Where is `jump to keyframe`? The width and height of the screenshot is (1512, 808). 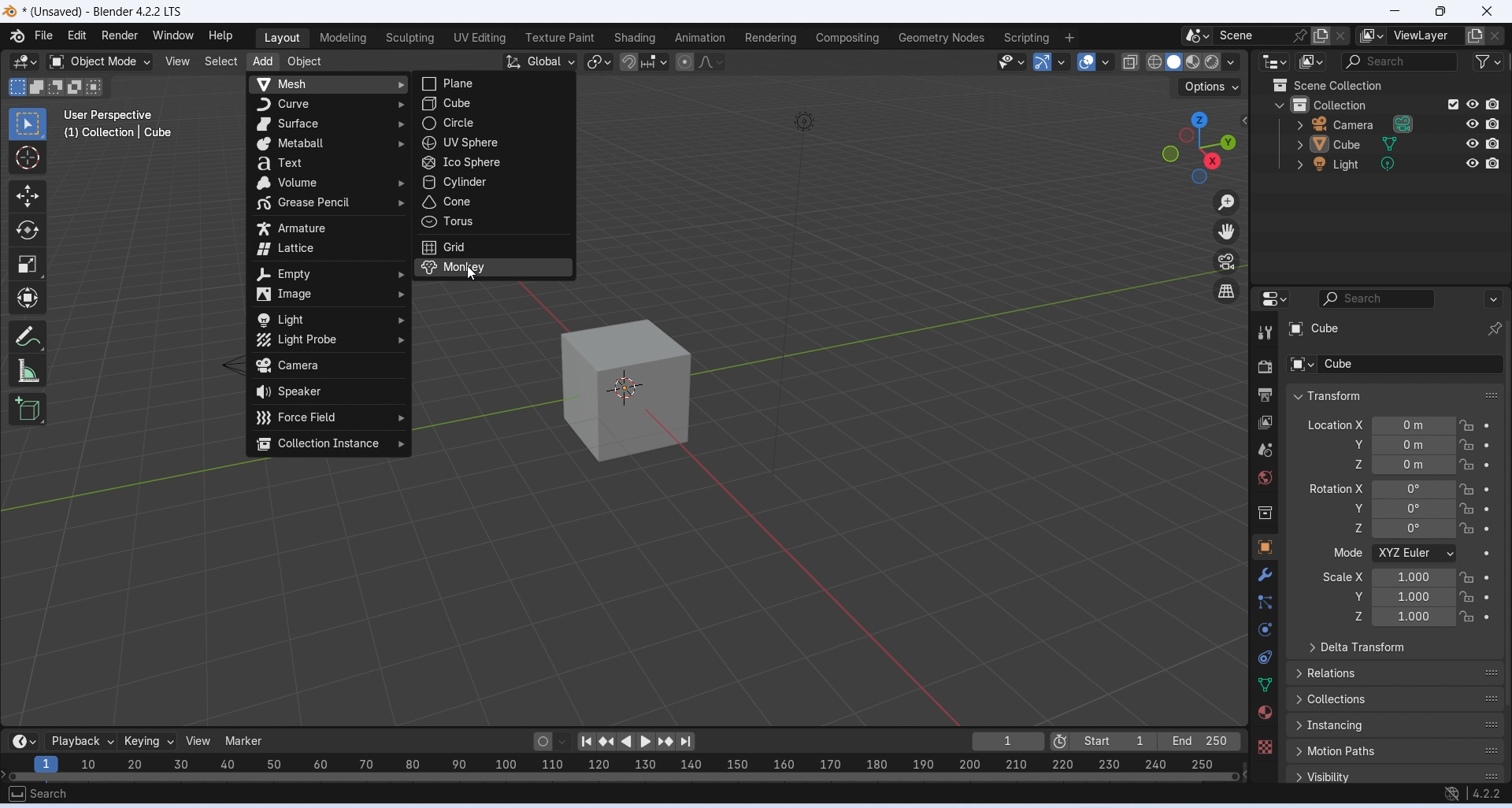 jump to keyframe is located at coordinates (608, 744).